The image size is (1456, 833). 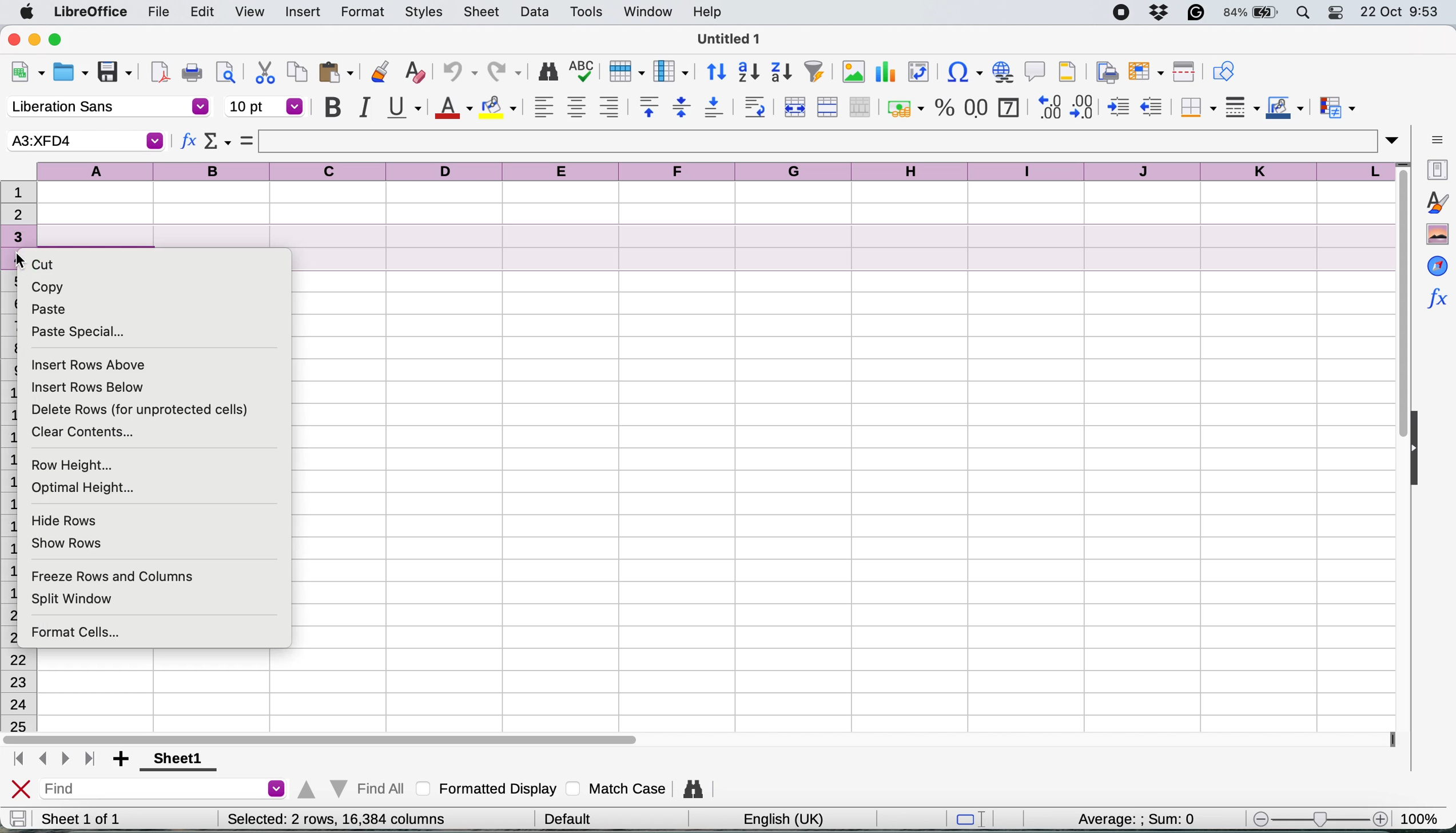 I want to click on properties, so click(x=1435, y=168).